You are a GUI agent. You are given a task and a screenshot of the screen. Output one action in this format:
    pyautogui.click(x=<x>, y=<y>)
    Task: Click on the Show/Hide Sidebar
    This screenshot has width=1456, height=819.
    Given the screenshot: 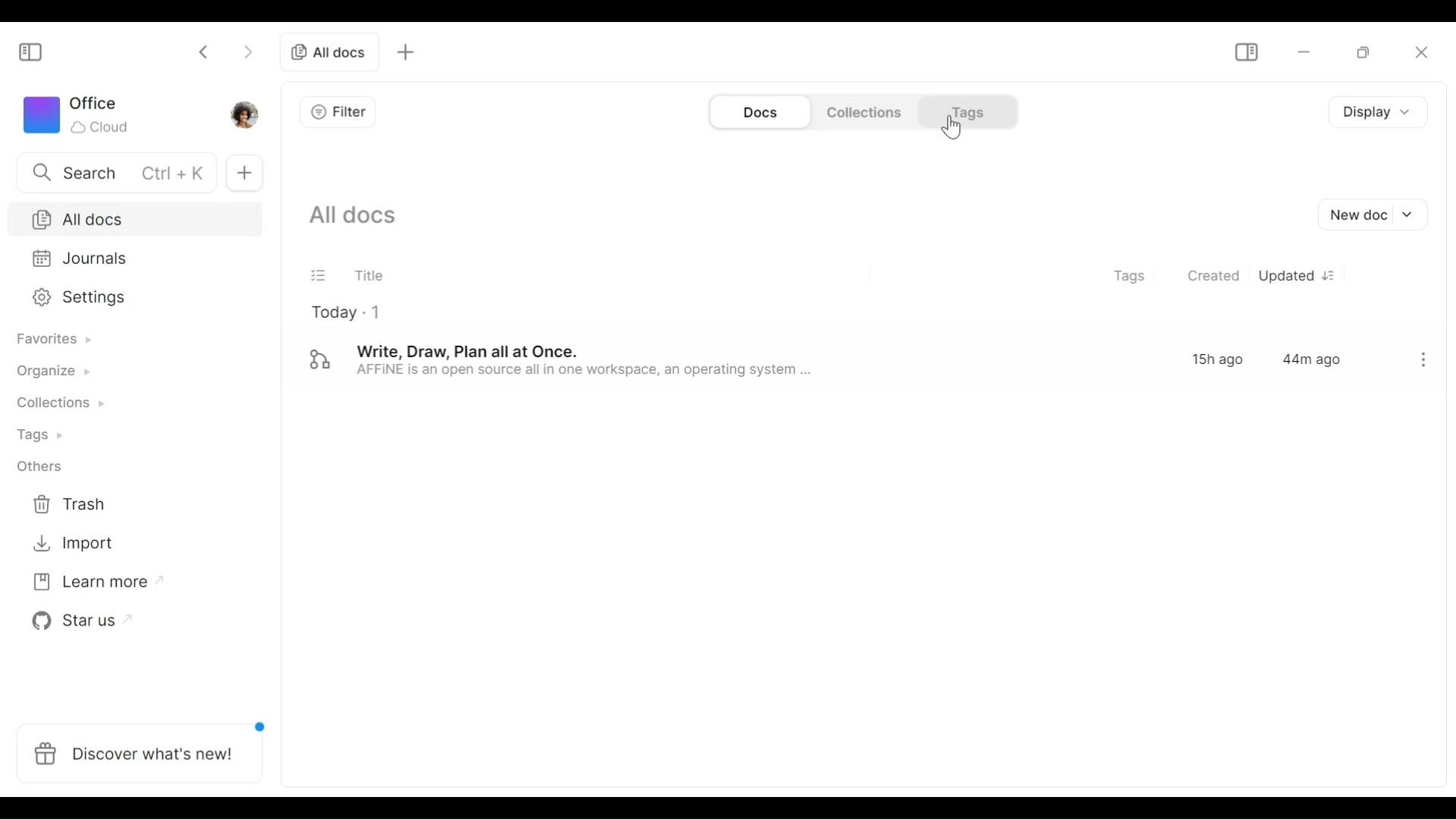 What is the action you would take?
    pyautogui.click(x=36, y=49)
    